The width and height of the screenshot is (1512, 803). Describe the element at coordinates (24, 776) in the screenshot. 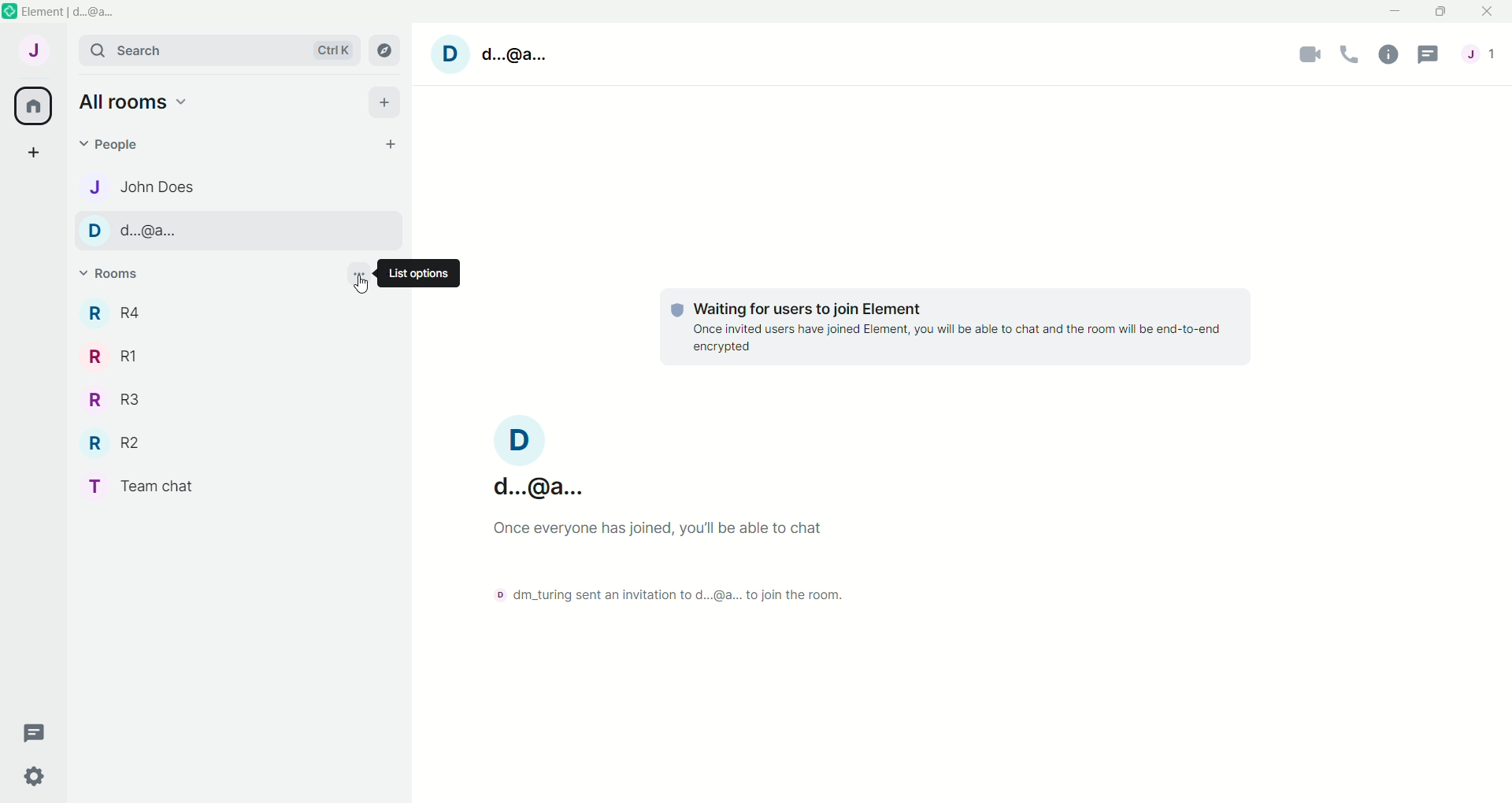

I see `Quick settings` at that location.